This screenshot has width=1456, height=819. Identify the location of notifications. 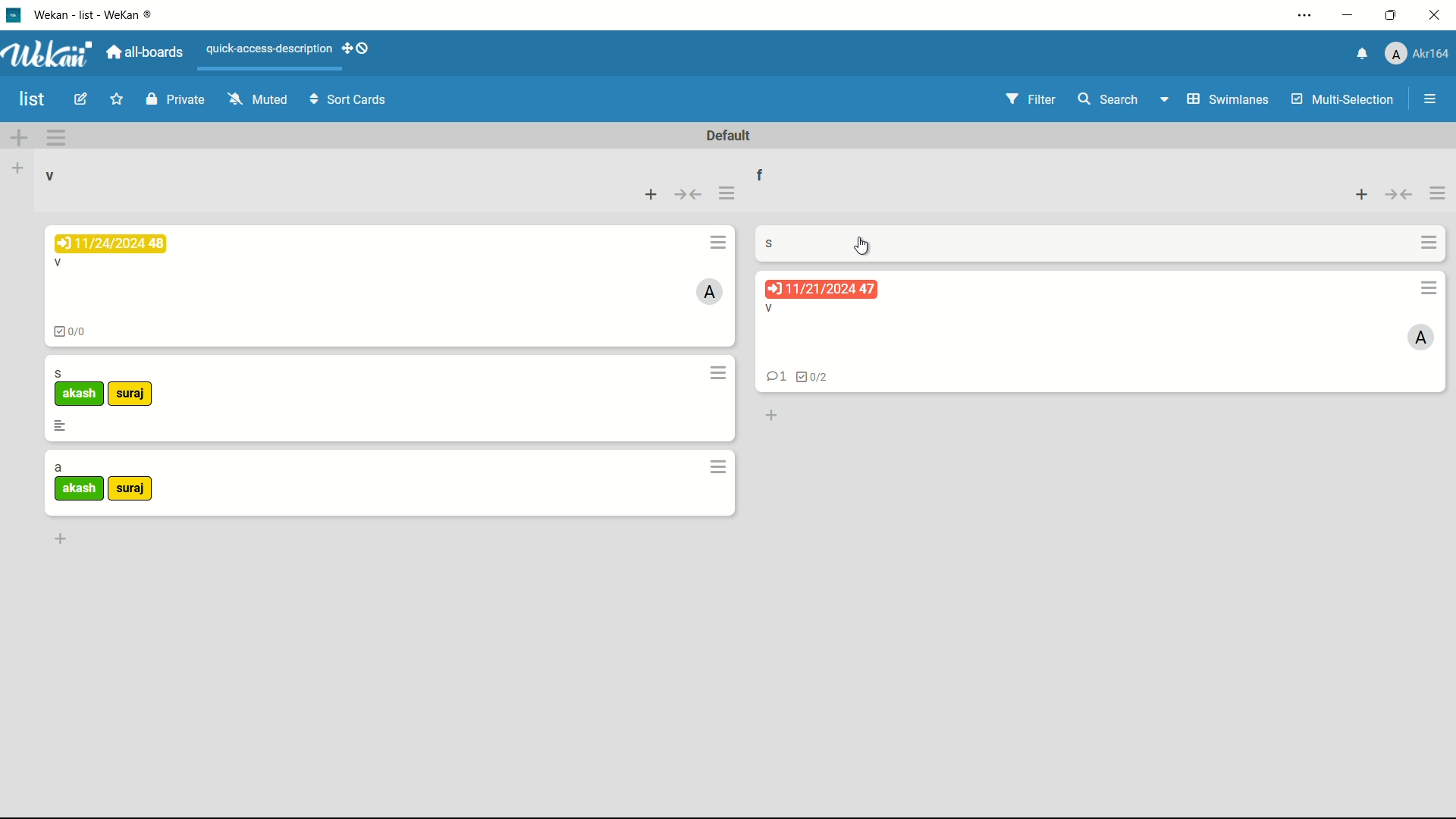
(1363, 52).